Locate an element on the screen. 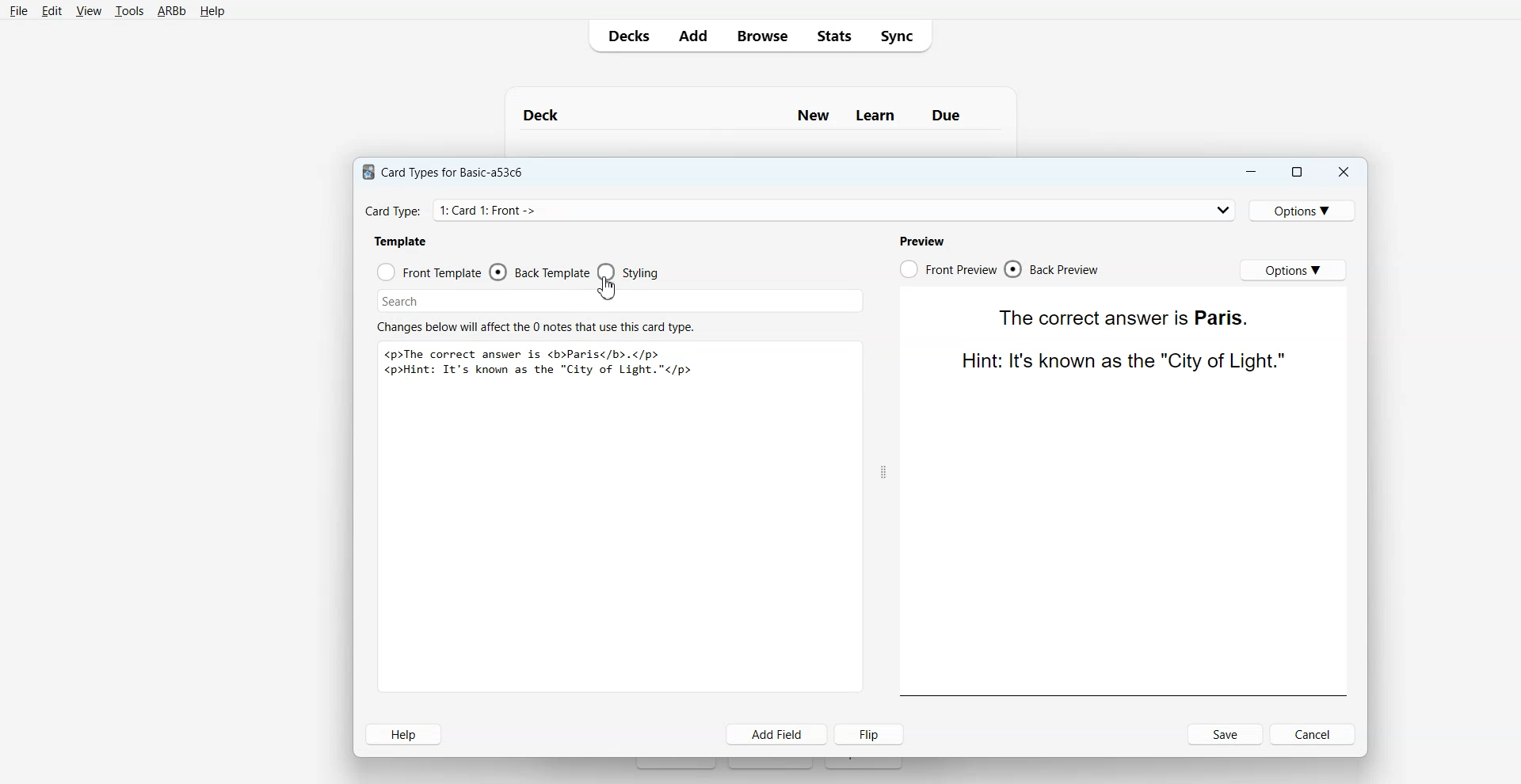  Cursor is located at coordinates (611, 287).